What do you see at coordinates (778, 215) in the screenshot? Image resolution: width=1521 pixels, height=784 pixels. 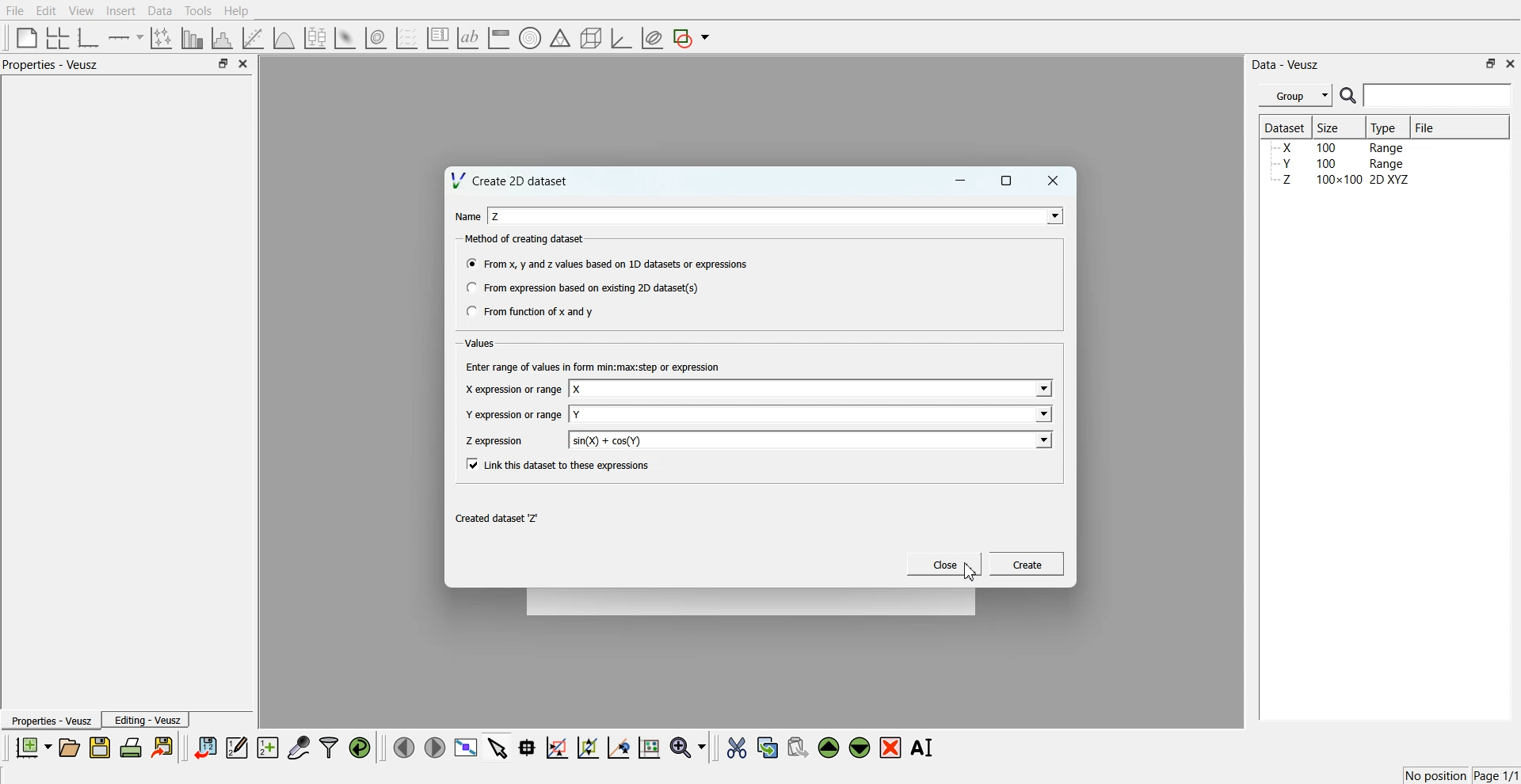 I see `Enter name` at bounding box center [778, 215].